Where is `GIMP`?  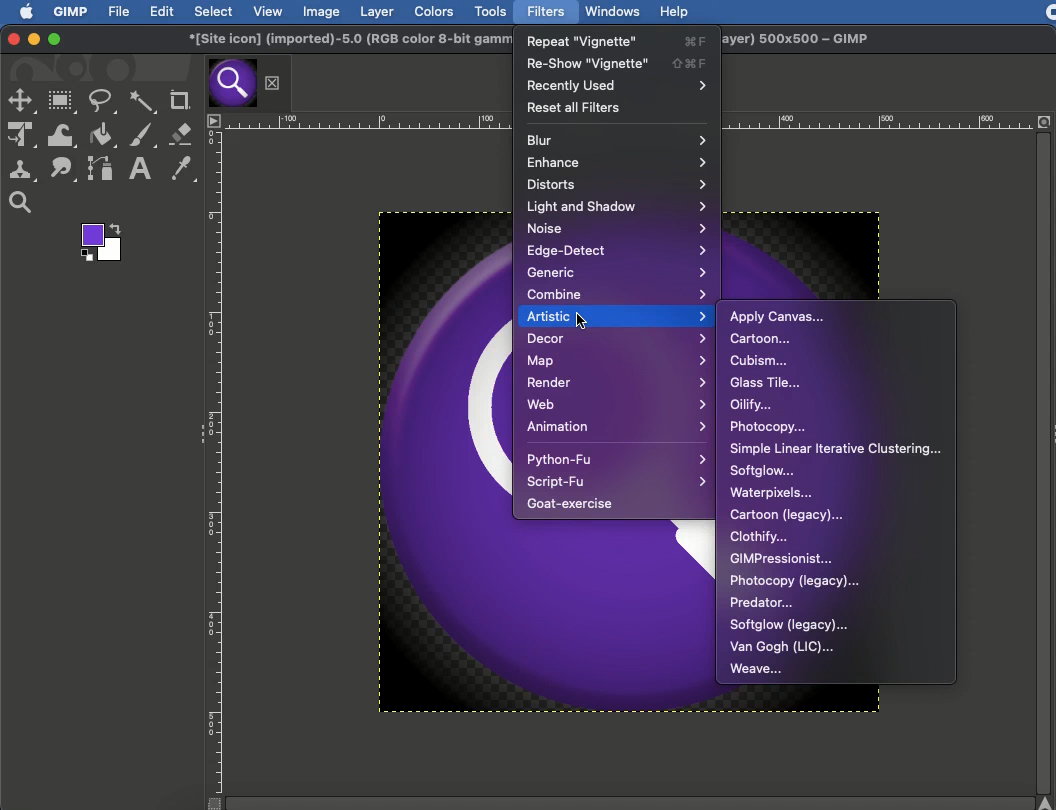
GIMP is located at coordinates (71, 12).